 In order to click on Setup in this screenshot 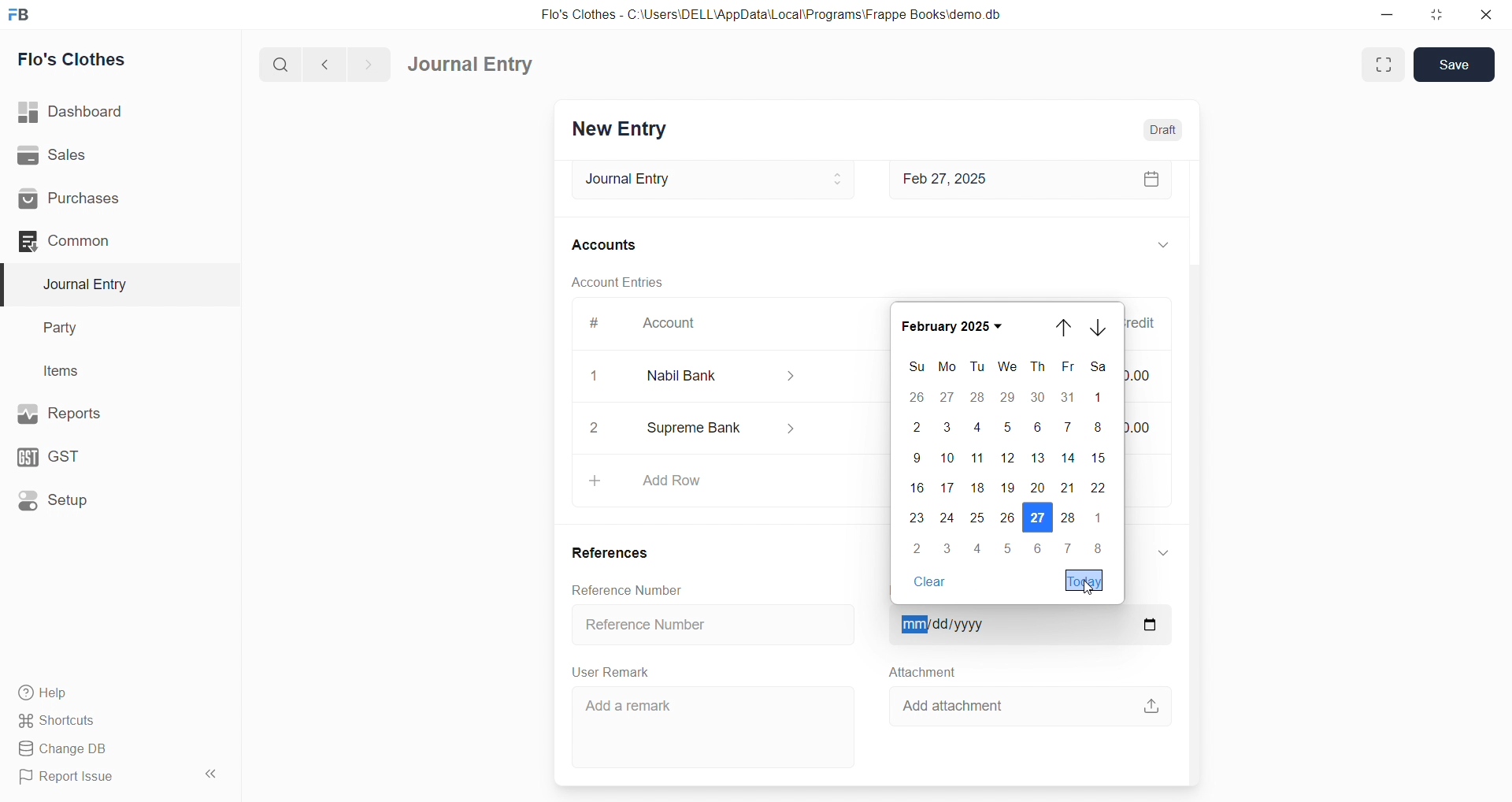, I will do `click(91, 503)`.